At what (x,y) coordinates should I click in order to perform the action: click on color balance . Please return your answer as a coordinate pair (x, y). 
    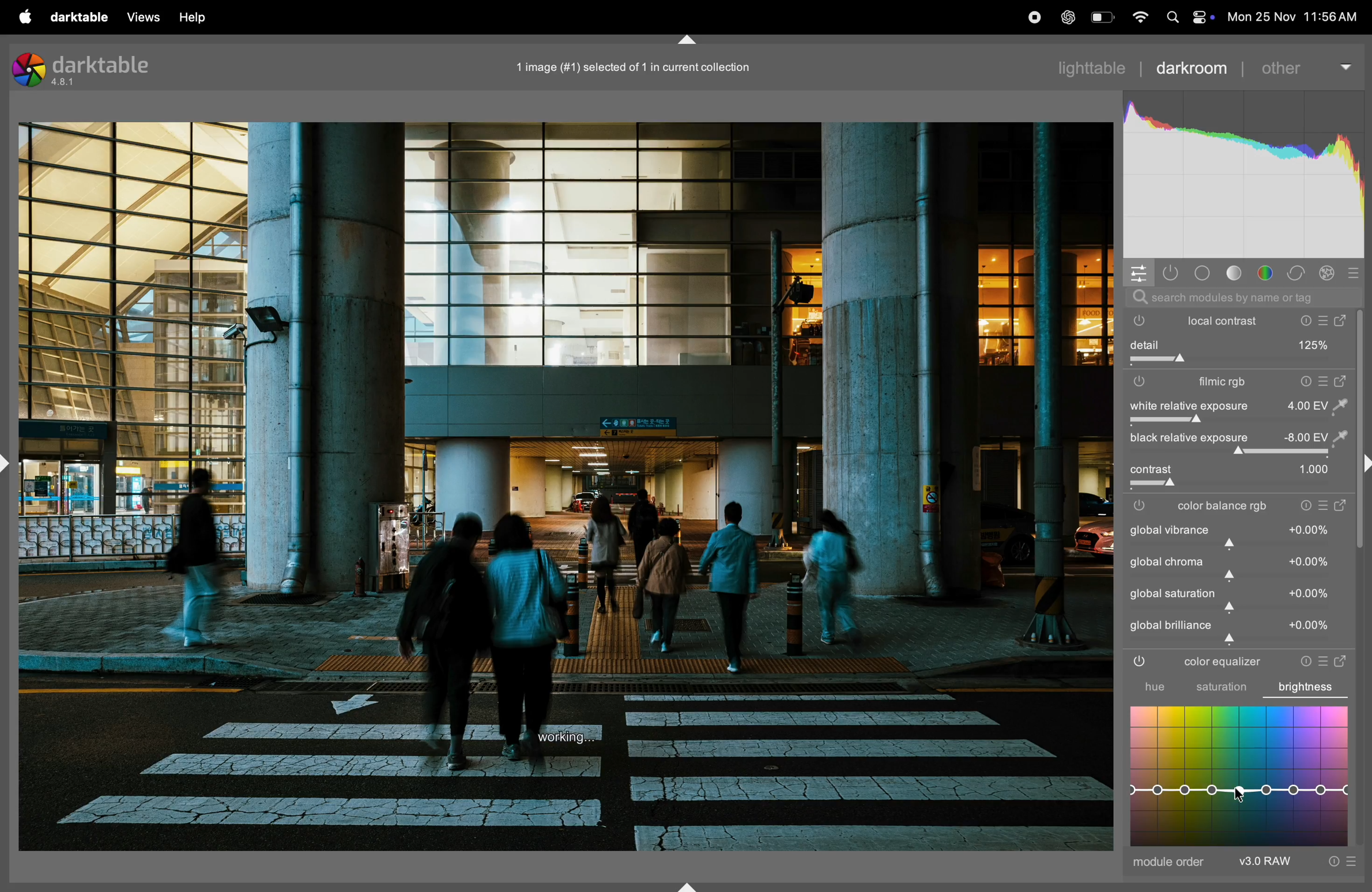
    Looking at the image, I should click on (1226, 507).